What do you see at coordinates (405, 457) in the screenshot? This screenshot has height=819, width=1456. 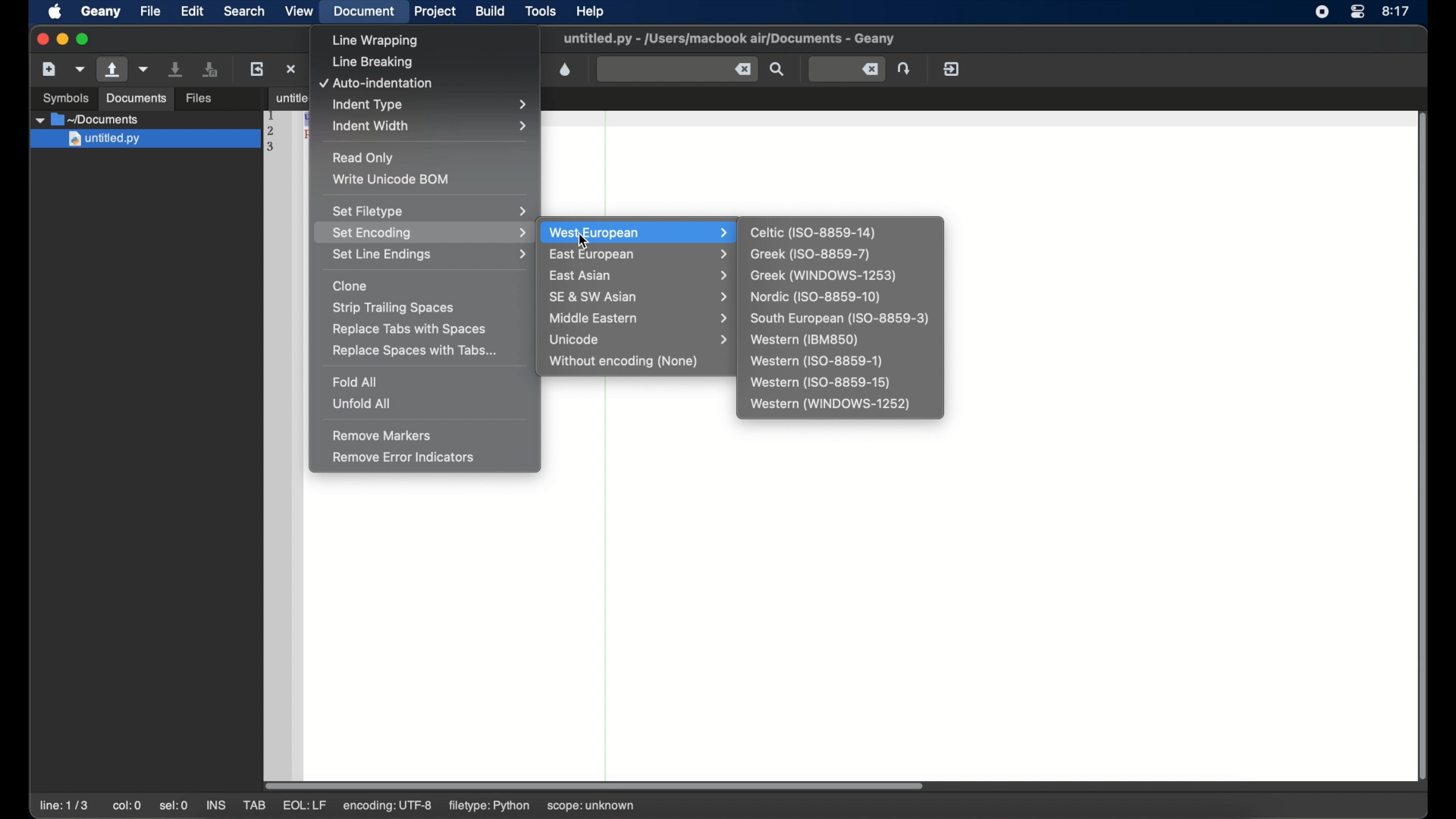 I see `remove error indicators` at bounding box center [405, 457].